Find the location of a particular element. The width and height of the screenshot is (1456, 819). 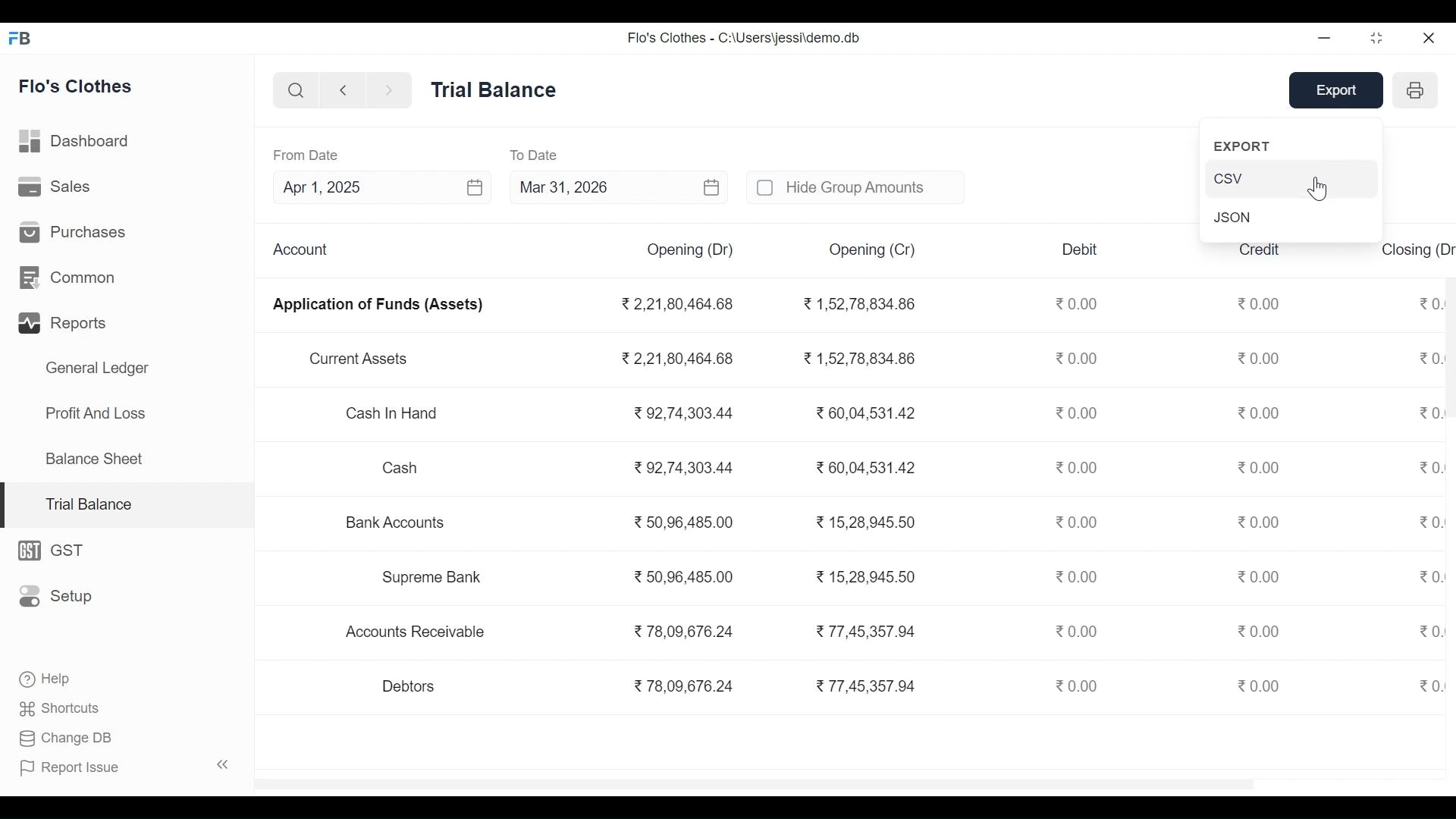

Shortcuts is located at coordinates (61, 708).